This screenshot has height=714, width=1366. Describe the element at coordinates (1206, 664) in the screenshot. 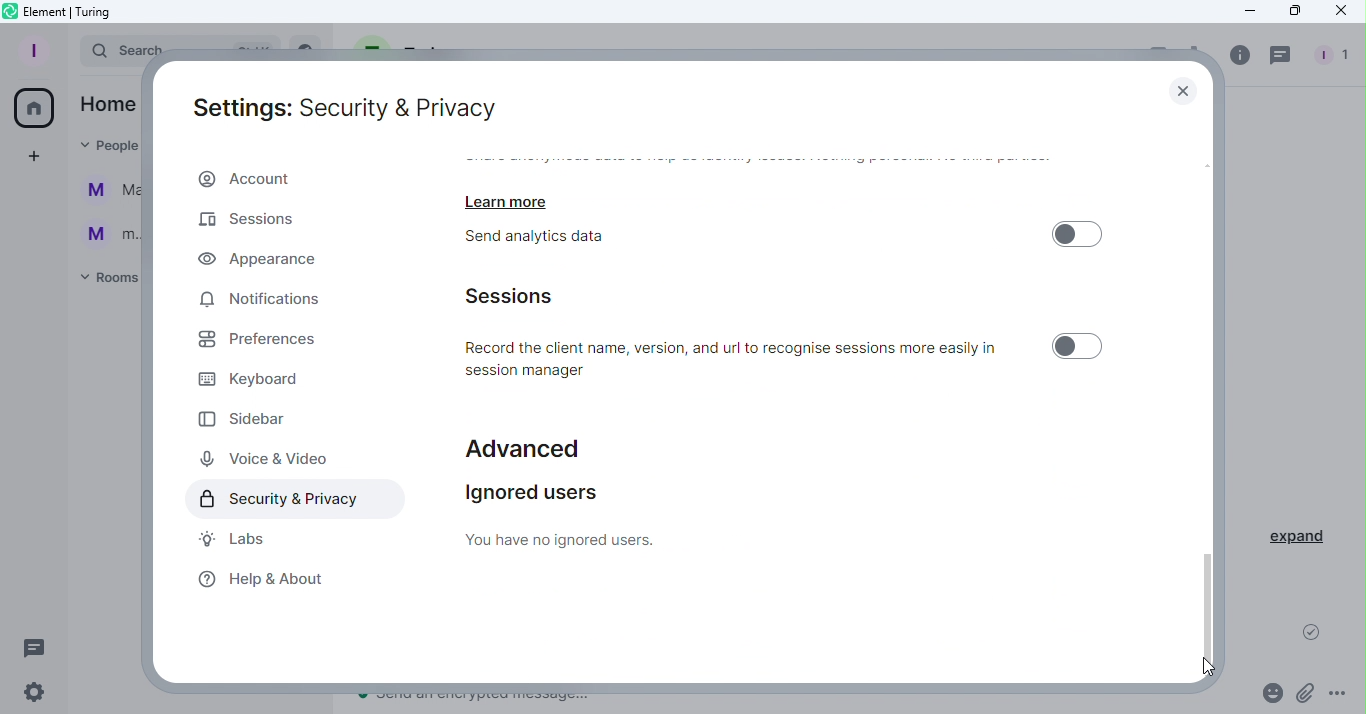

I see `Cursor` at that location.